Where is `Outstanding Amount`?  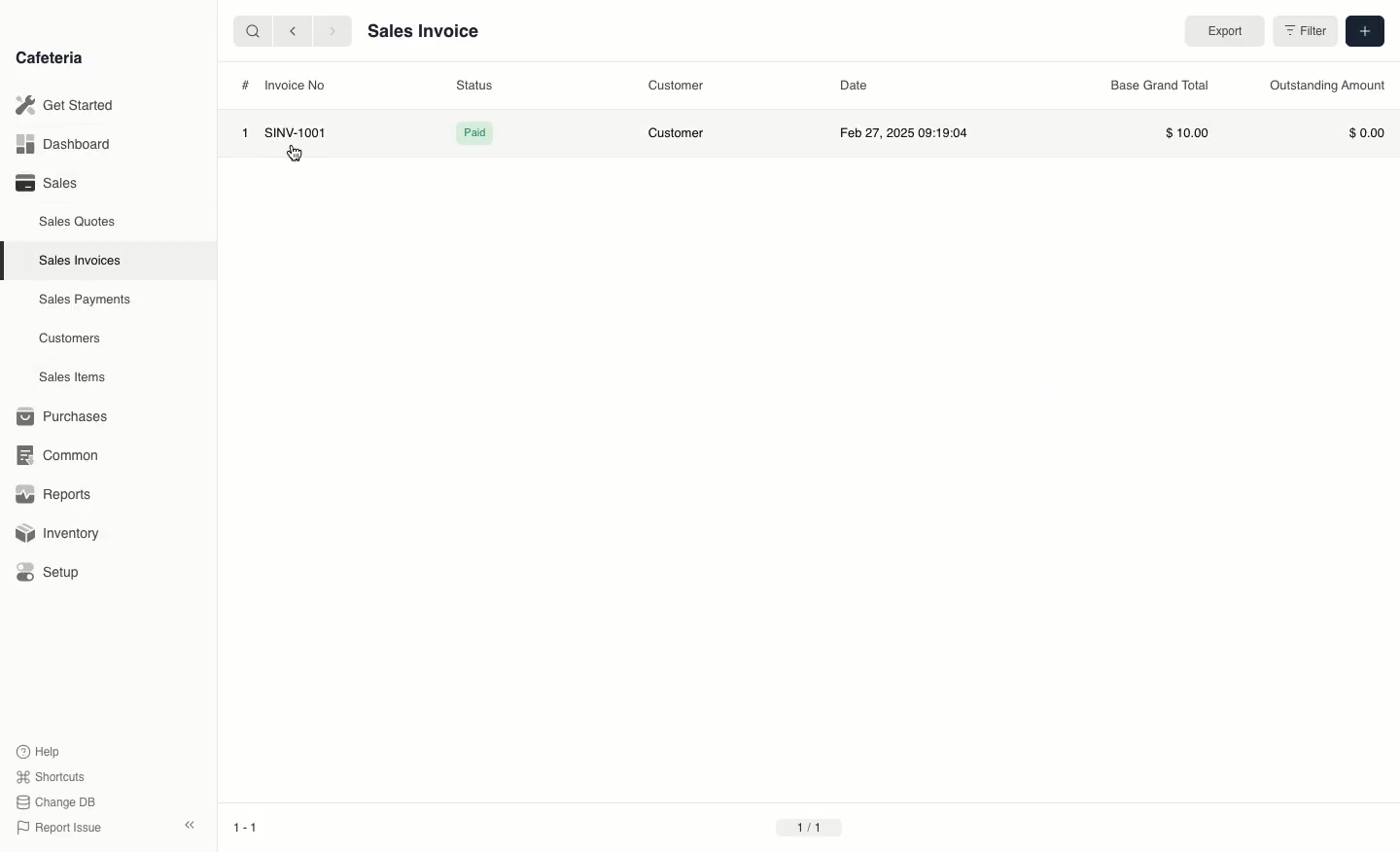 Outstanding Amount is located at coordinates (1322, 88).